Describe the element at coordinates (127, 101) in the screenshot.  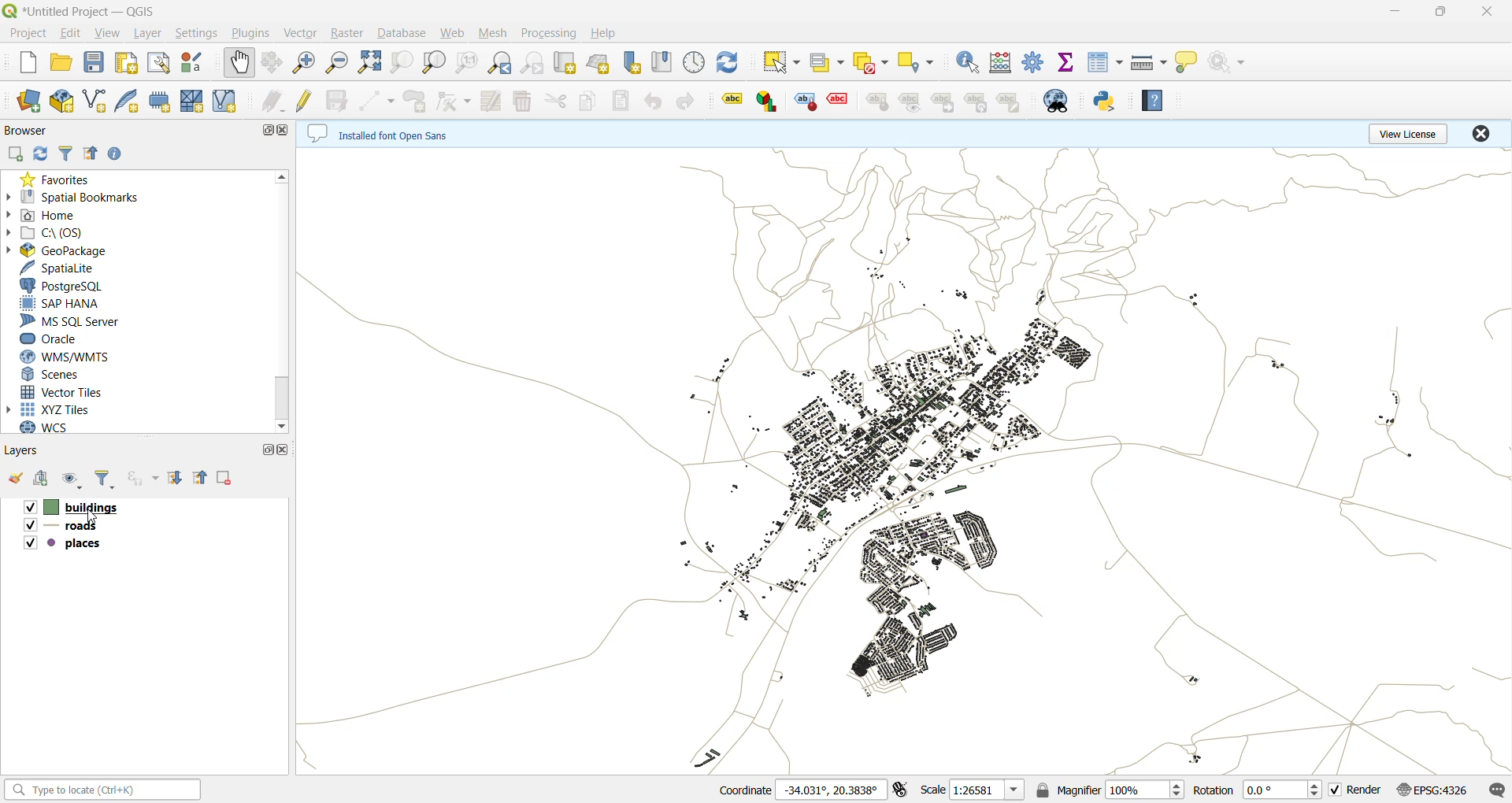
I see `new spatialite` at that location.